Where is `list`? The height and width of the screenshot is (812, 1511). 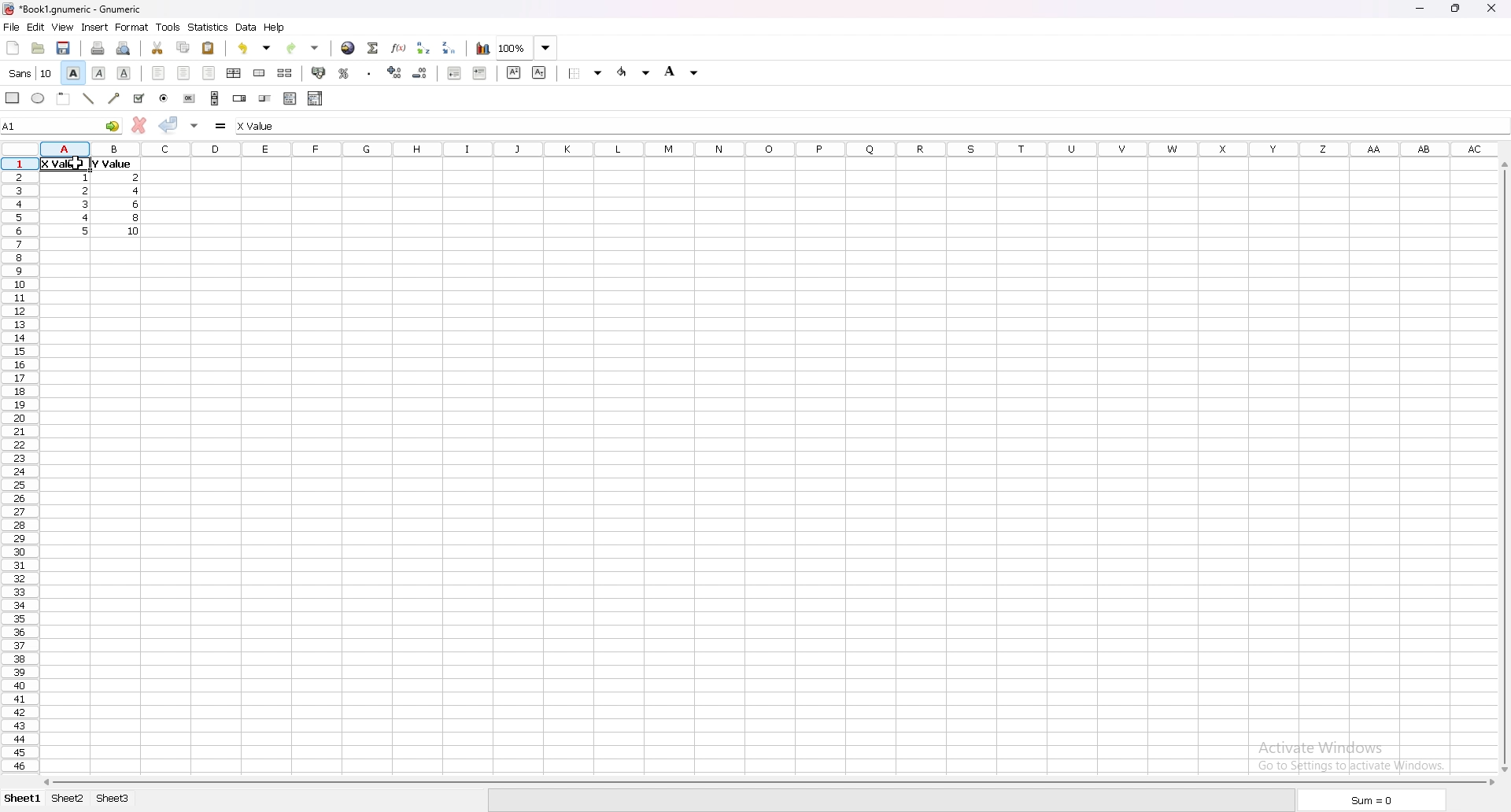 list is located at coordinates (290, 98).